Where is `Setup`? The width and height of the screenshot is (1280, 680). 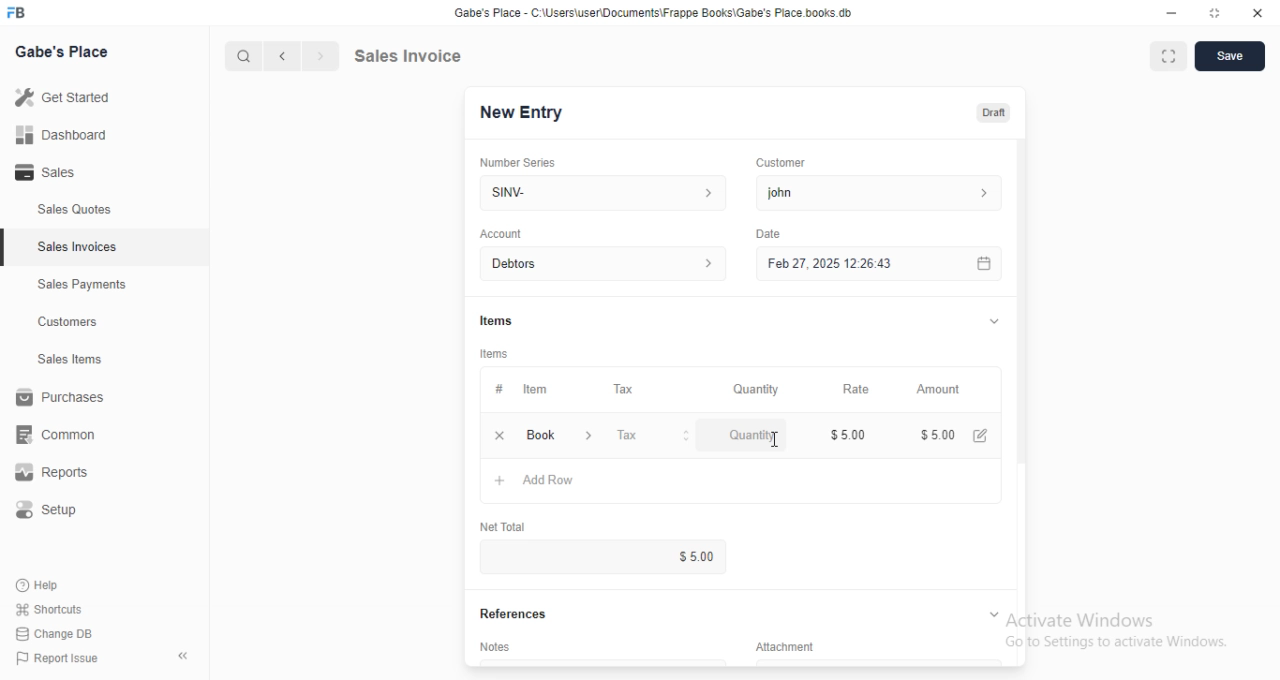 Setup is located at coordinates (48, 507).